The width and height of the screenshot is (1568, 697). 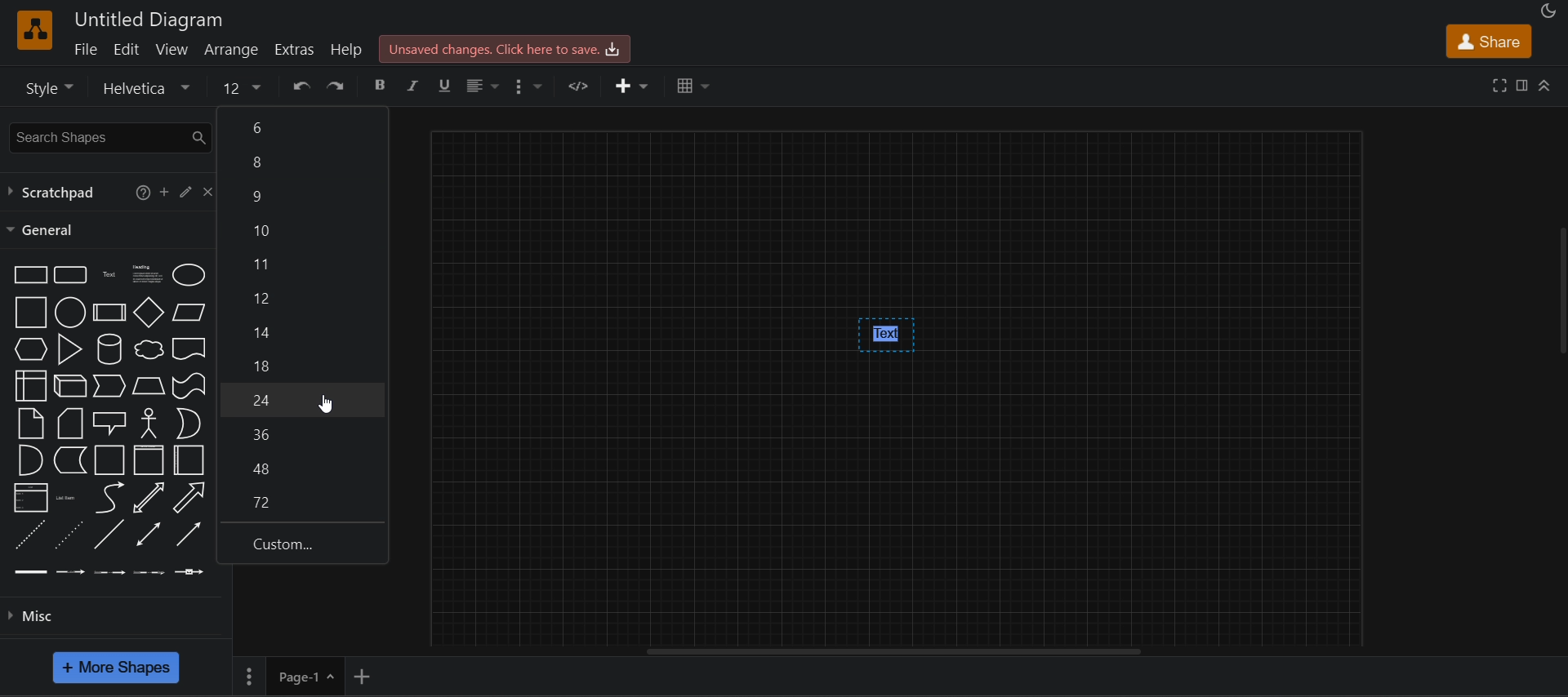 What do you see at coordinates (149, 573) in the screenshot?
I see `Connector with 3 labels` at bounding box center [149, 573].